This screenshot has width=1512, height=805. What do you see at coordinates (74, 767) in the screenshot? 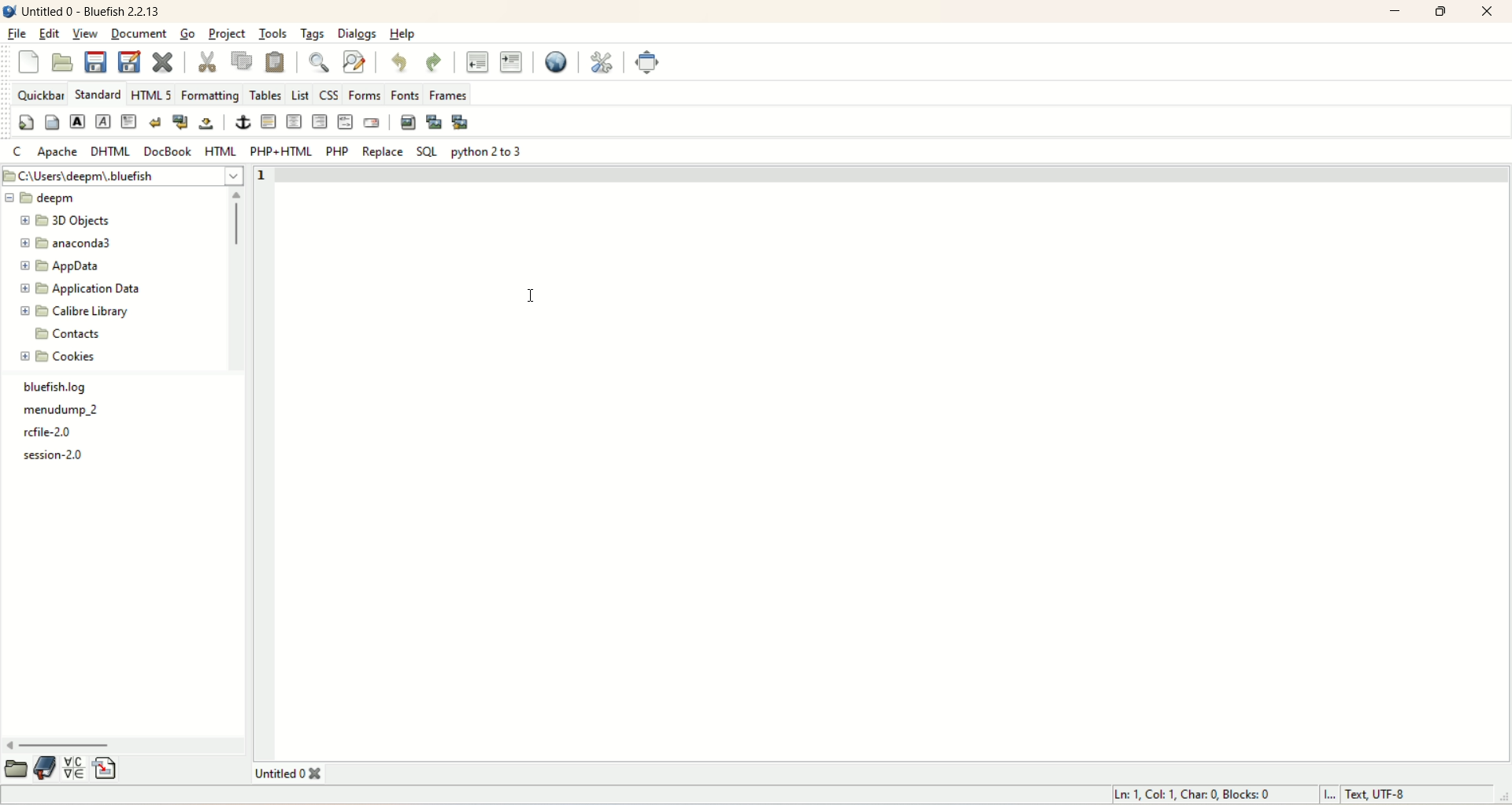
I see `insert special character` at bounding box center [74, 767].